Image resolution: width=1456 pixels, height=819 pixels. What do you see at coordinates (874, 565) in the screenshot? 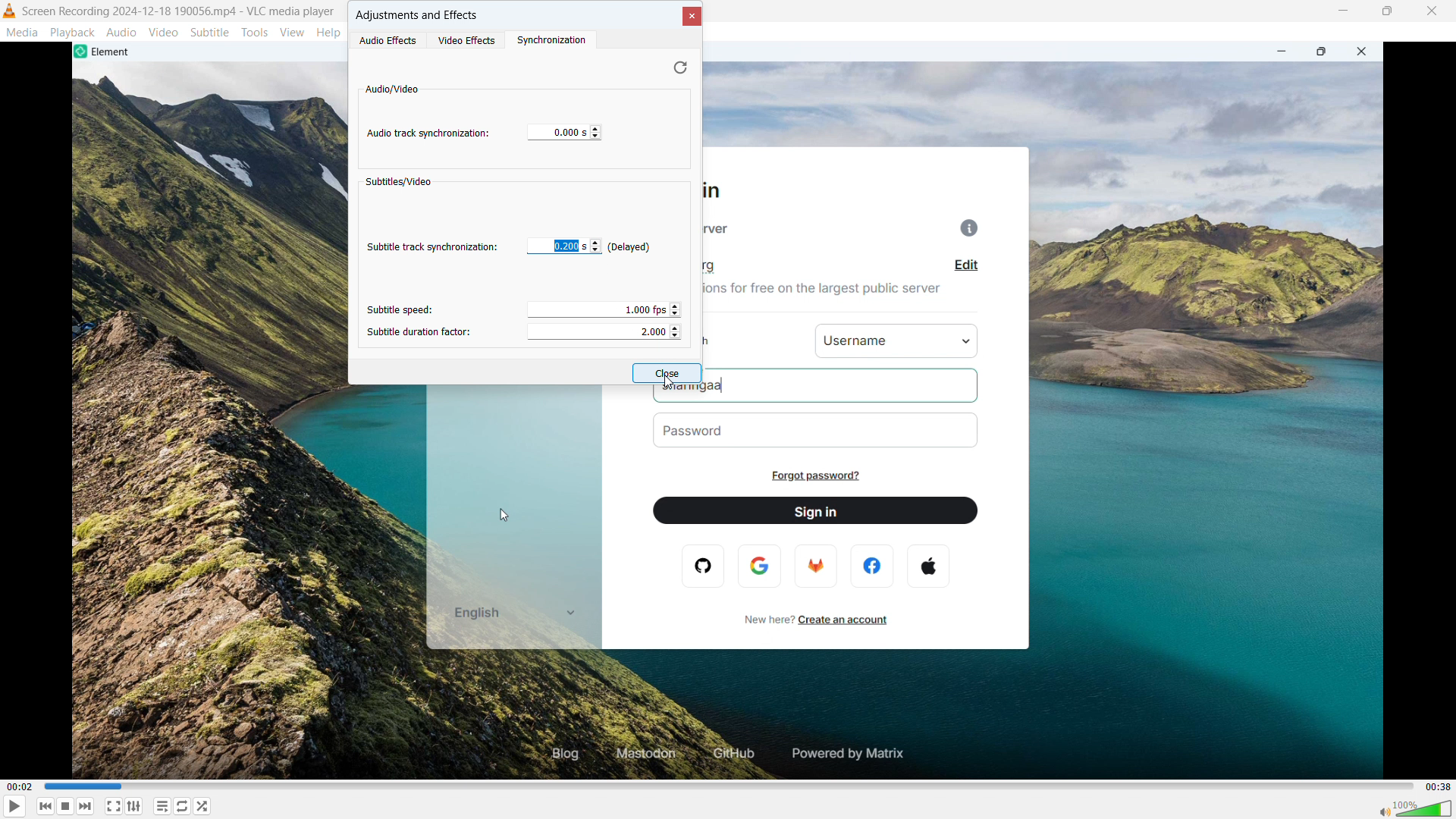
I see `facebook logo` at bounding box center [874, 565].